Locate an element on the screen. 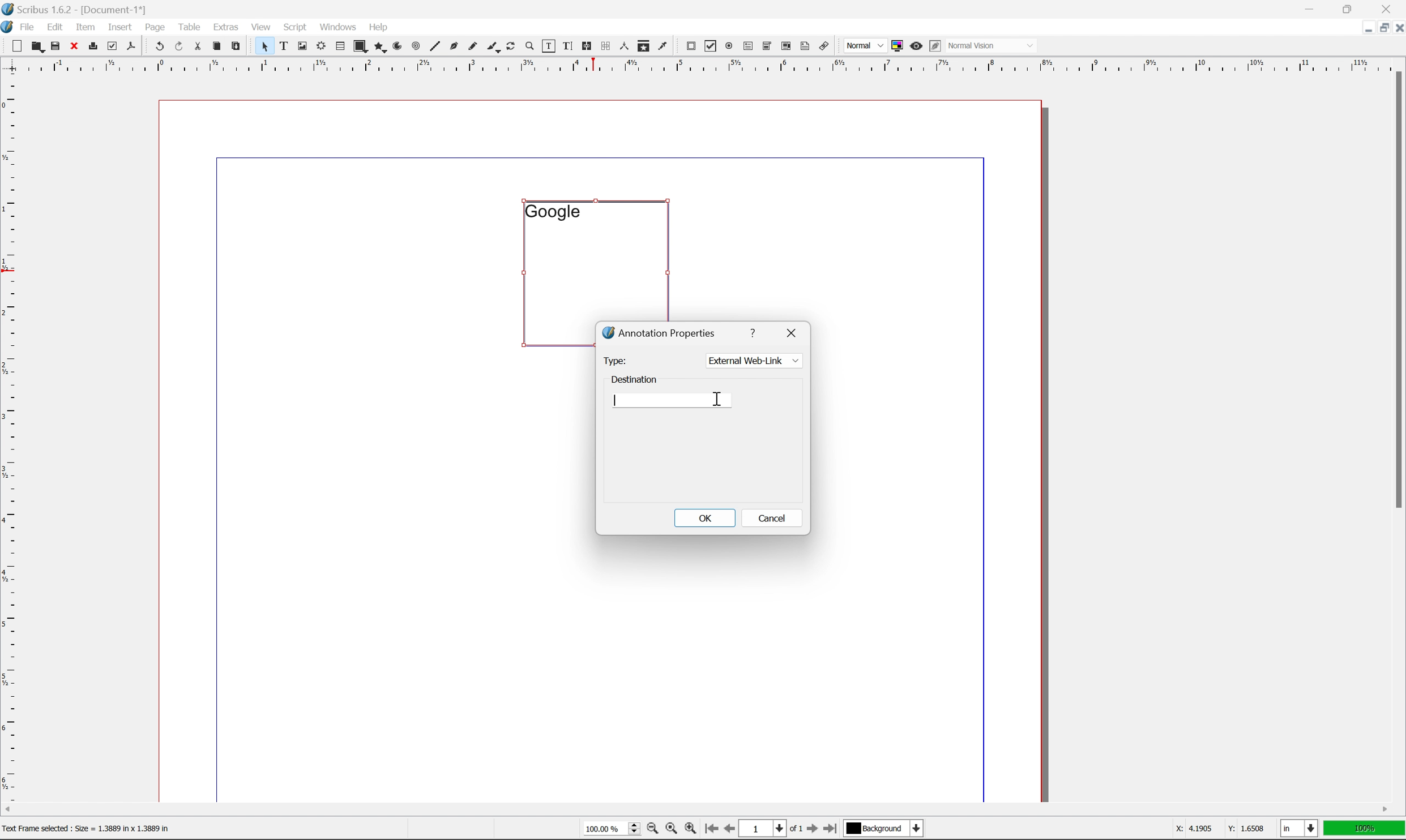  pdf radio button is located at coordinates (726, 46).